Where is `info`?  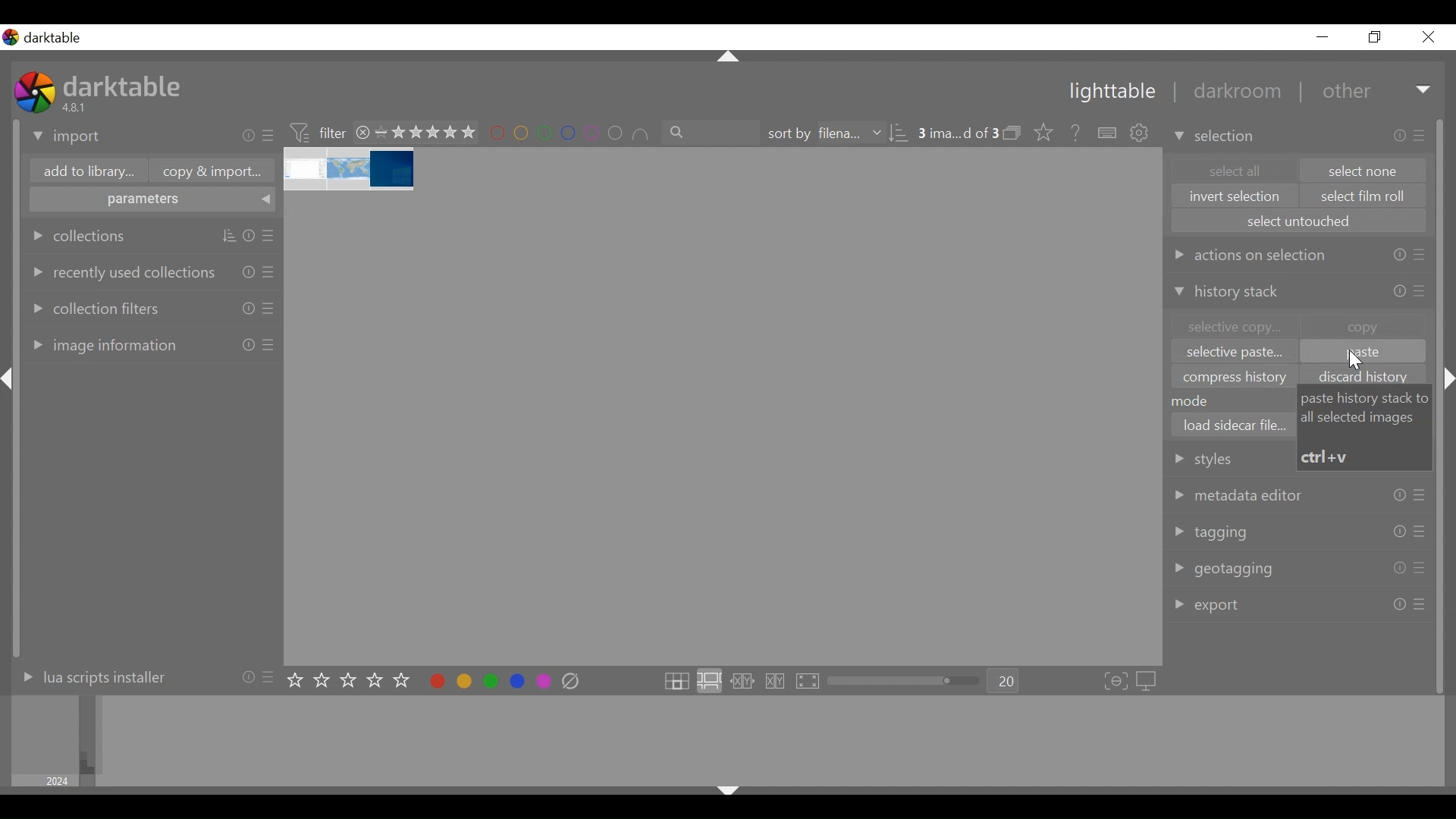
info is located at coordinates (1401, 136).